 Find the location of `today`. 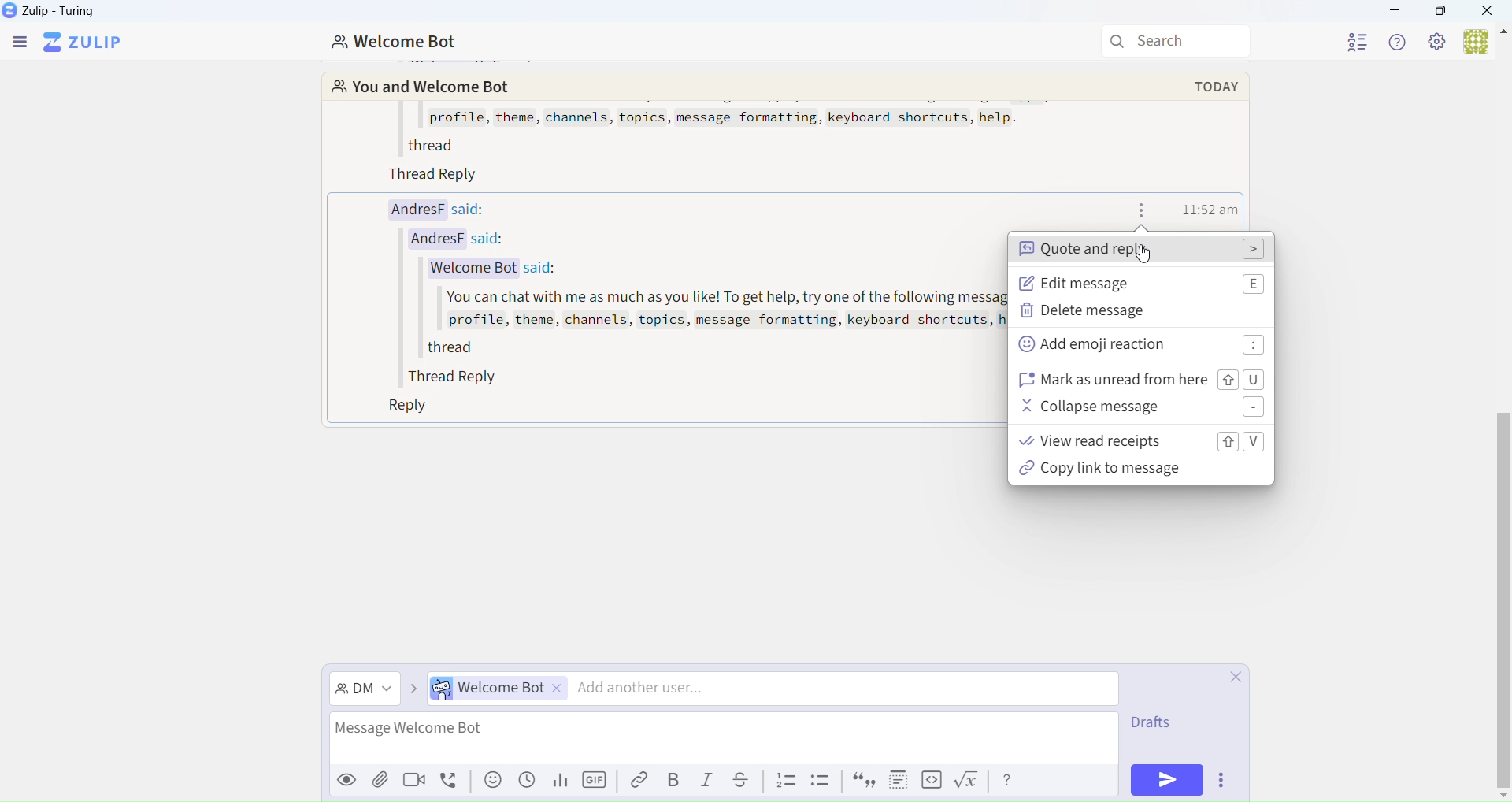

today is located at coordinates (1217, 85).